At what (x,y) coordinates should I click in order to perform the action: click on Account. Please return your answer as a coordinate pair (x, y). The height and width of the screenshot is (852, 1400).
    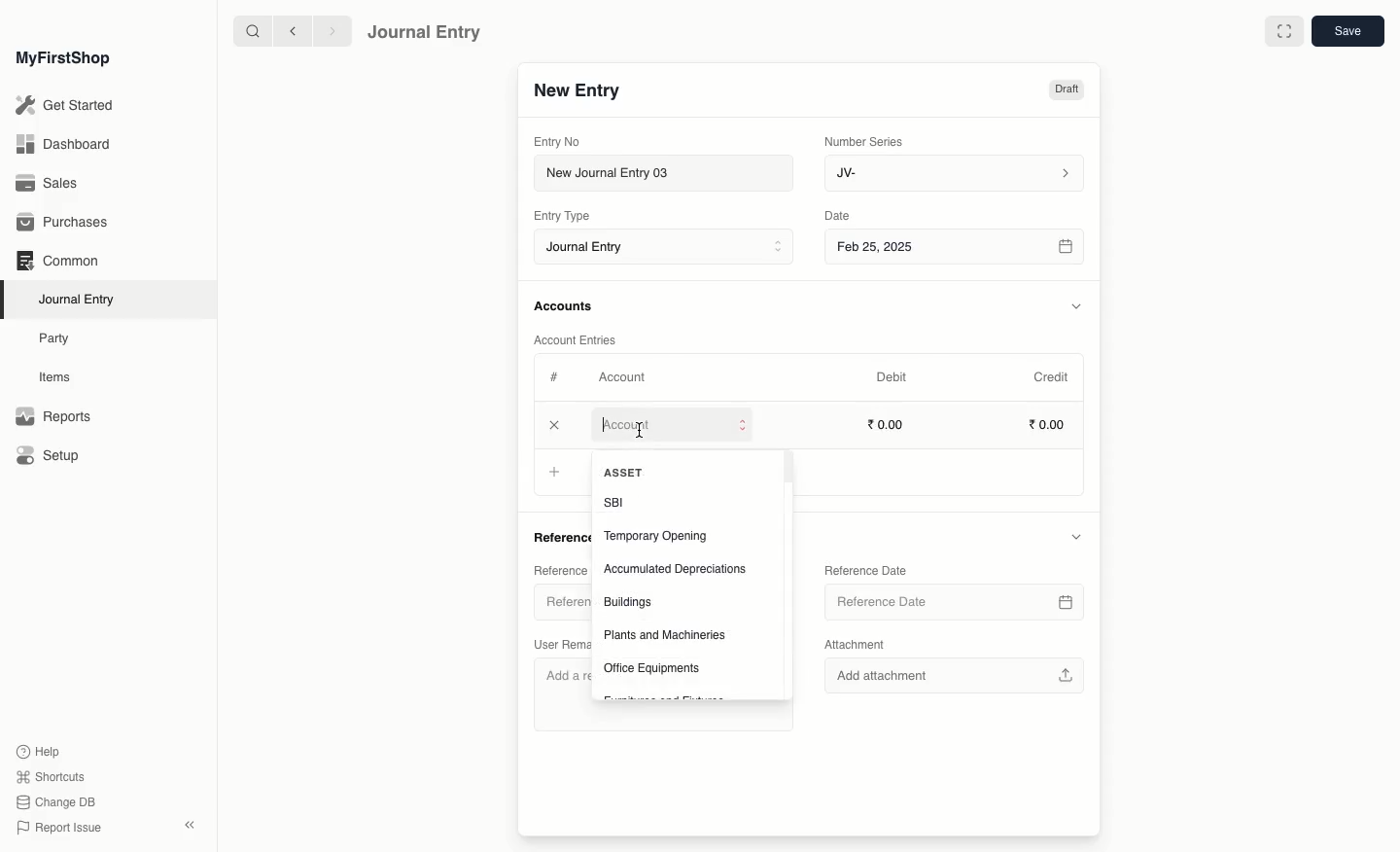
    Looking at the image, I should click on (674, 429).